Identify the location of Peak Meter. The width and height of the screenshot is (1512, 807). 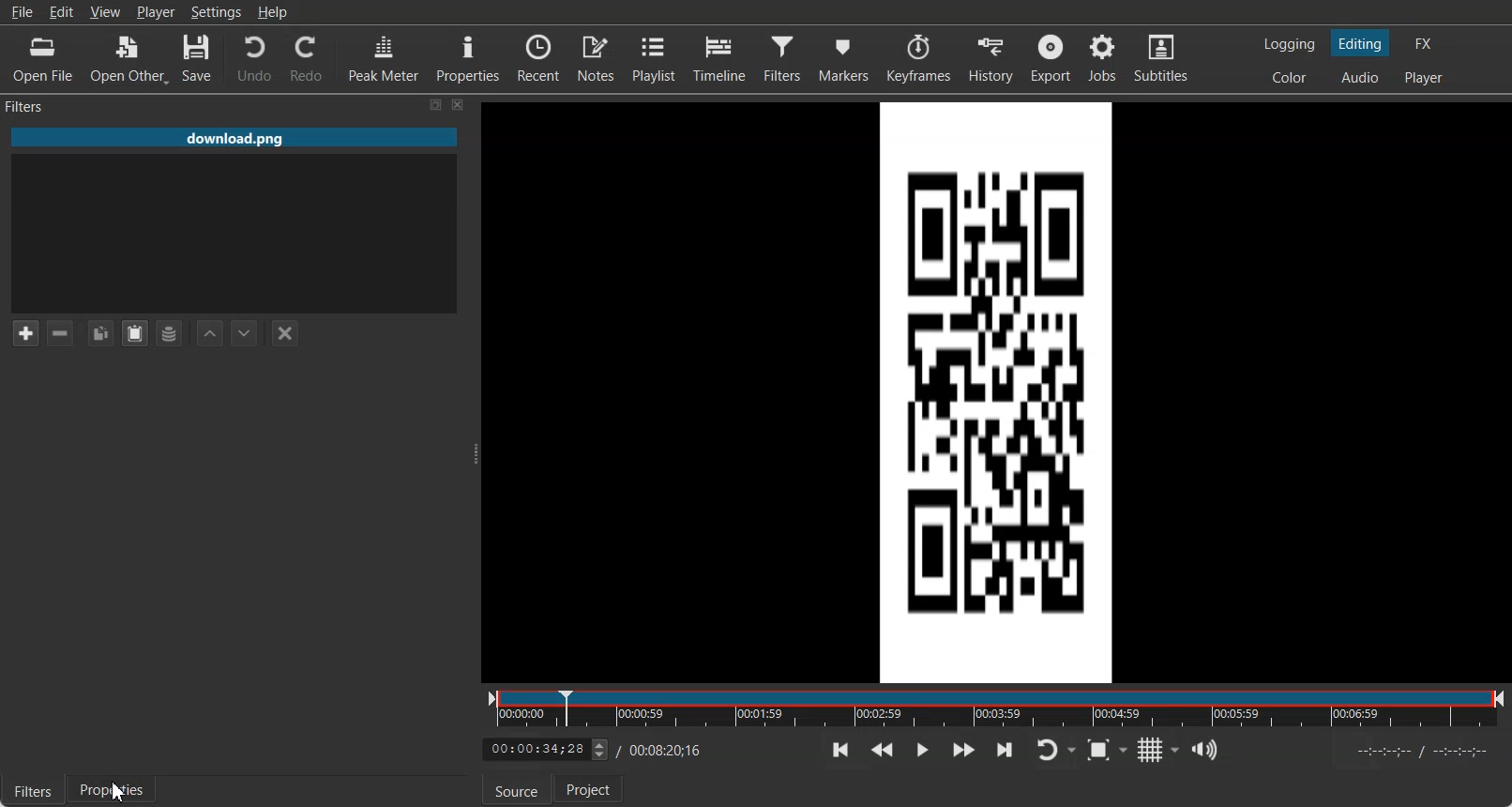
(383, 58).